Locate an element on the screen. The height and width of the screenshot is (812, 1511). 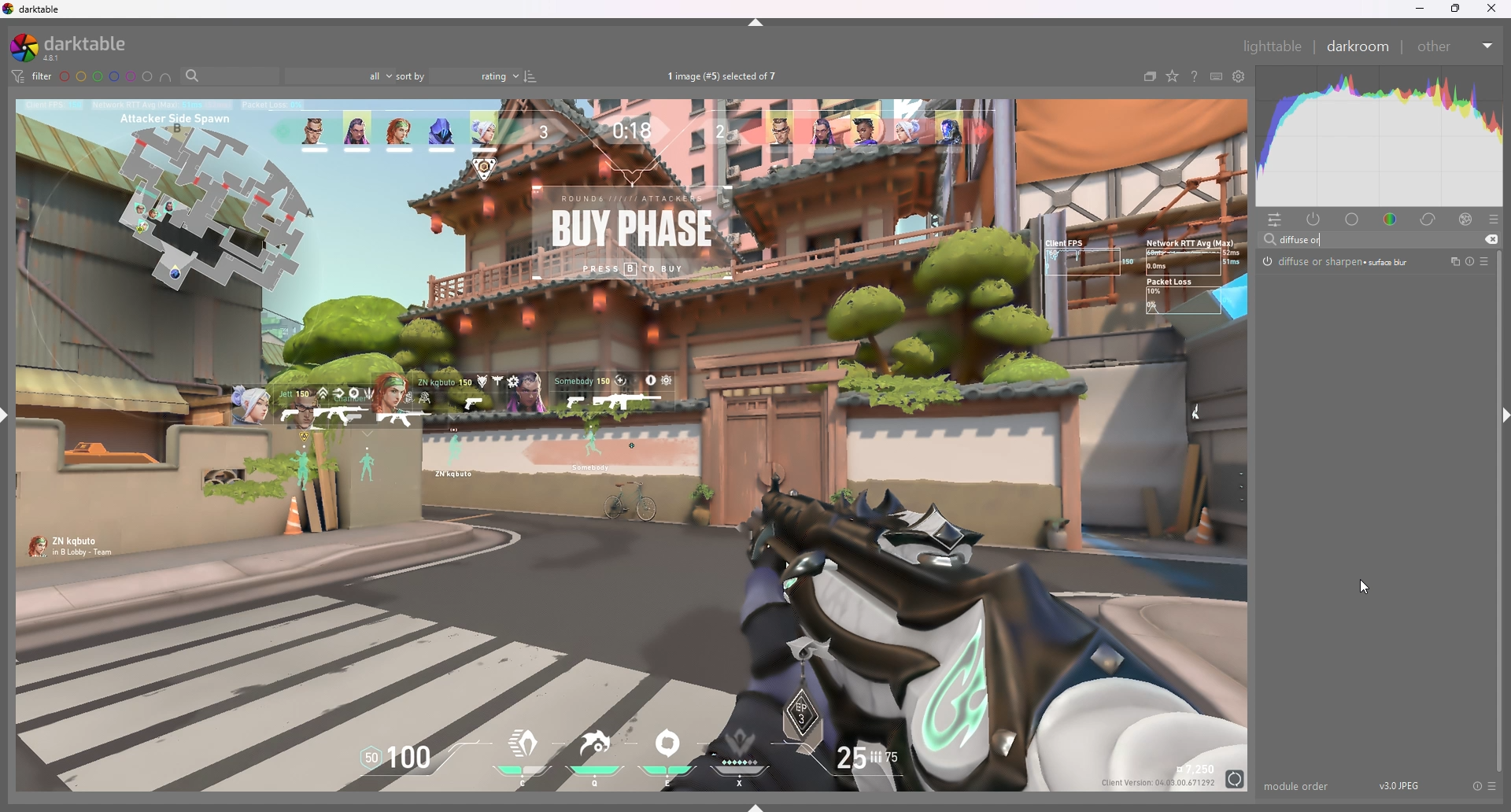
version is located at coordinates (1402, 784).